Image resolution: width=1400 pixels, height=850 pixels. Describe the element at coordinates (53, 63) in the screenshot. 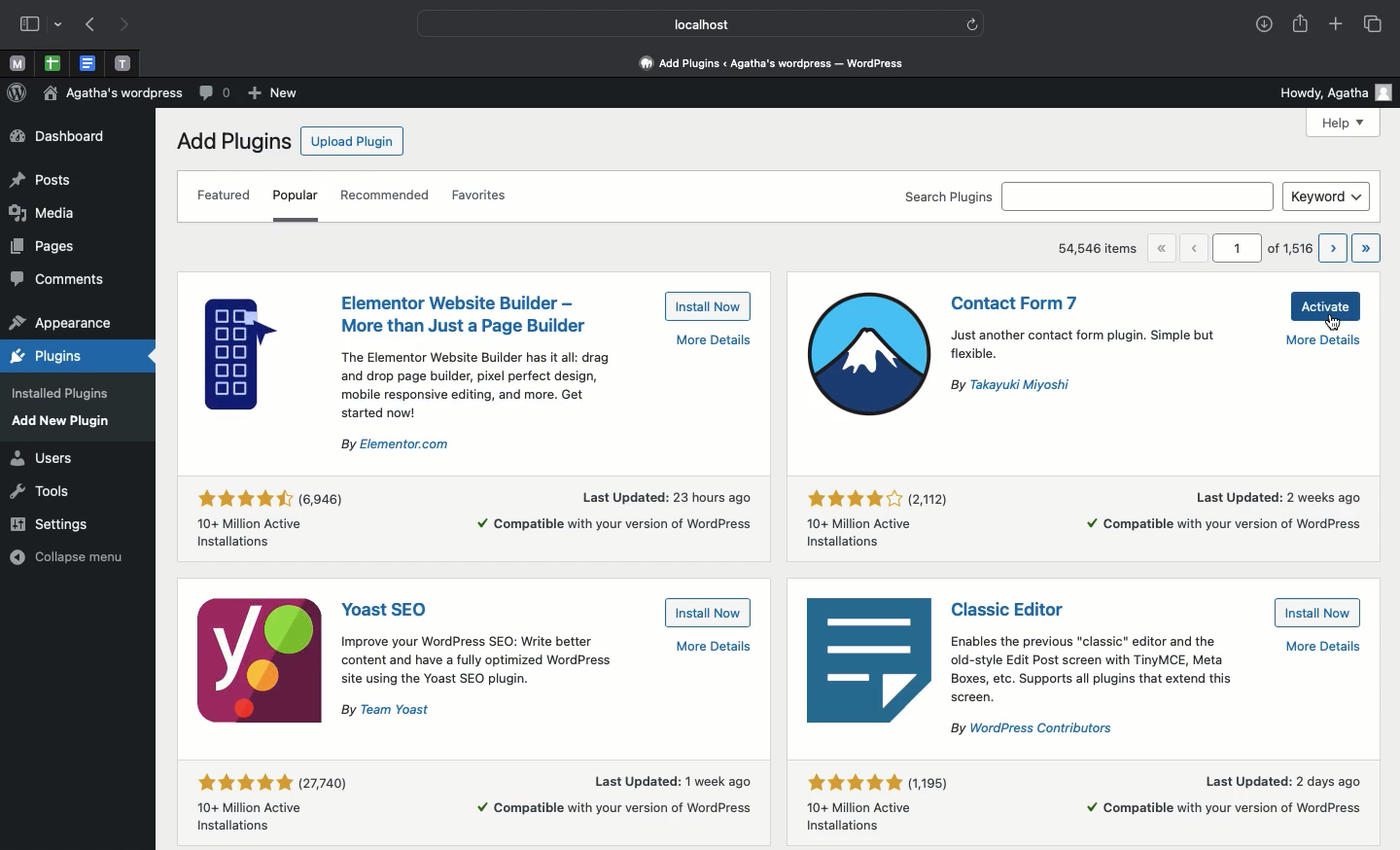

I see `pinned tabs` at that location.